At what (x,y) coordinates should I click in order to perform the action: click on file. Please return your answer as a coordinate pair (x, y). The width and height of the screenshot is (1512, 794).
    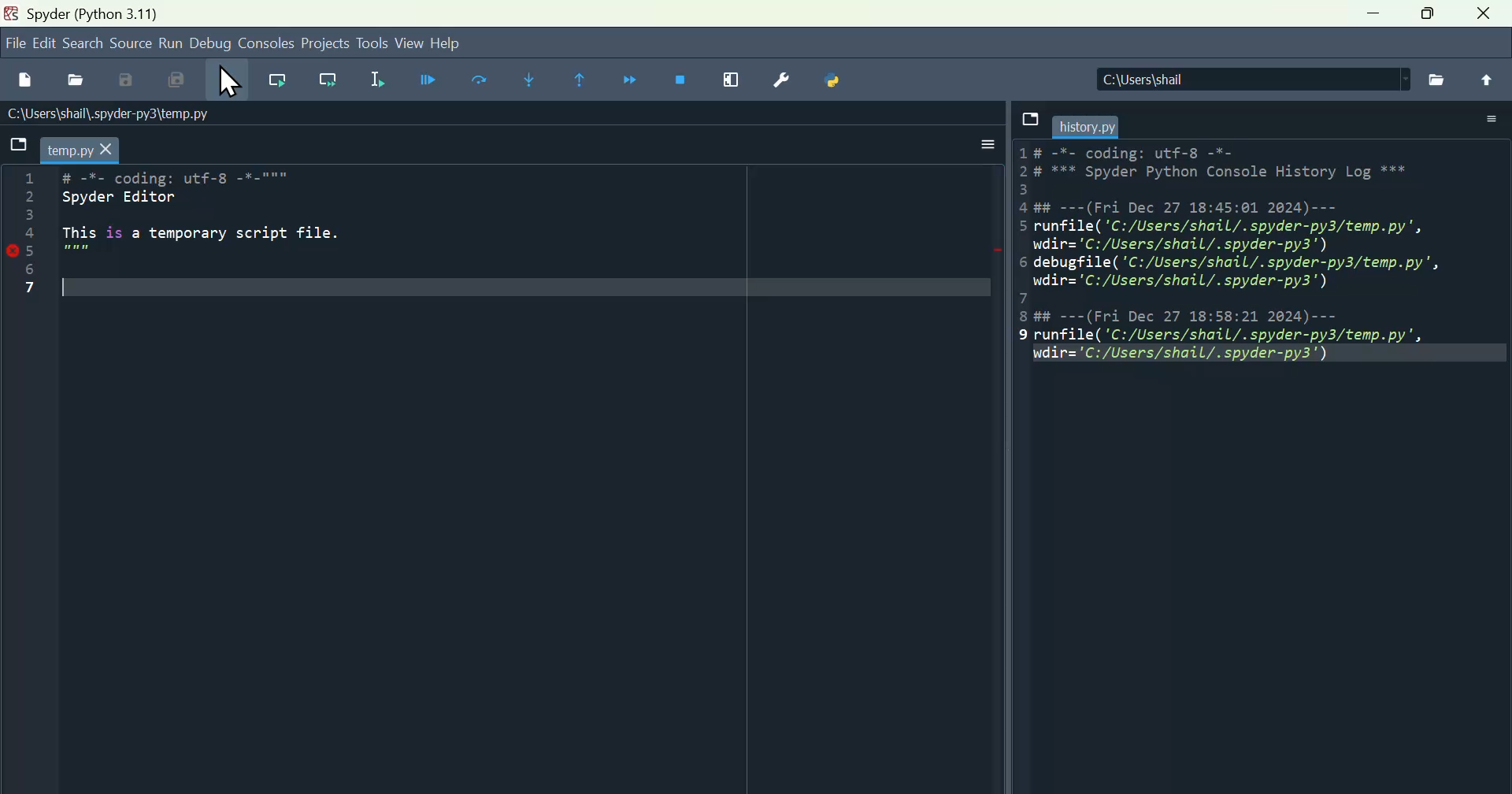
    Looking at the image, I should click on (1030, 125).